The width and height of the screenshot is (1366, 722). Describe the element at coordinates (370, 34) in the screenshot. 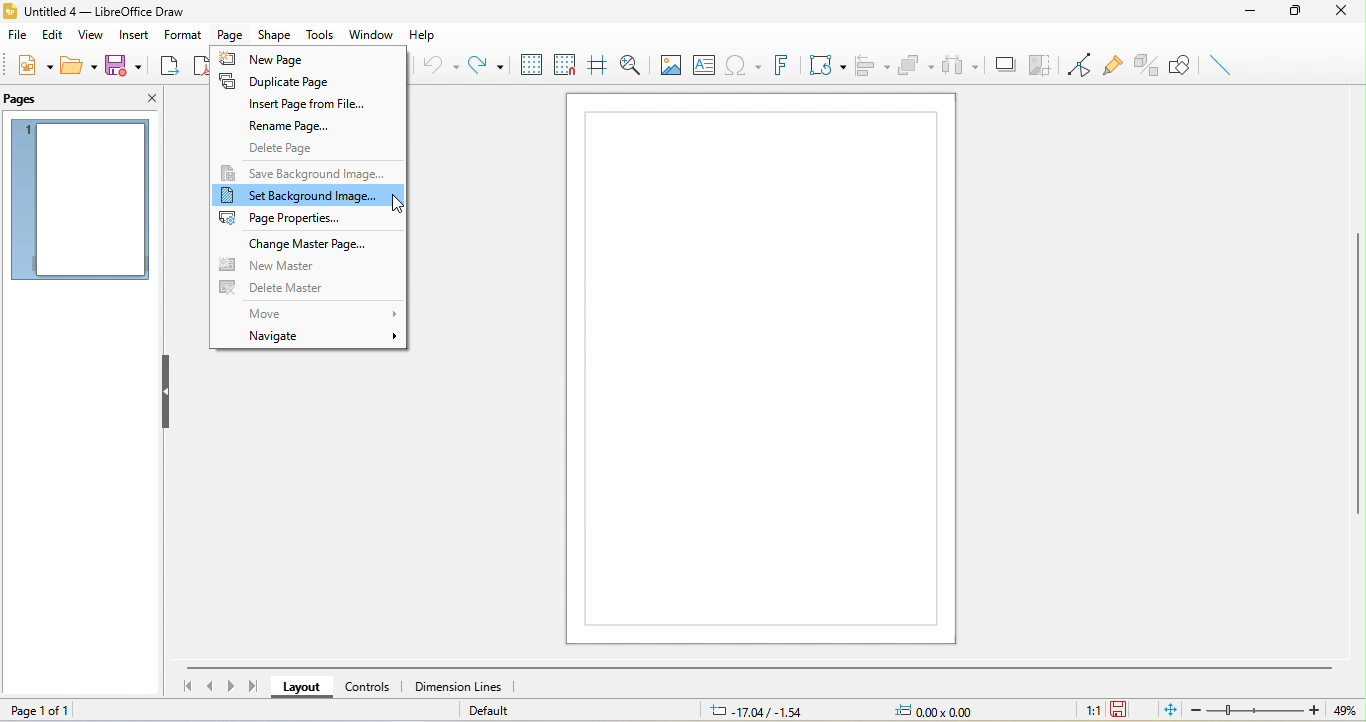

I see `window` at that location.